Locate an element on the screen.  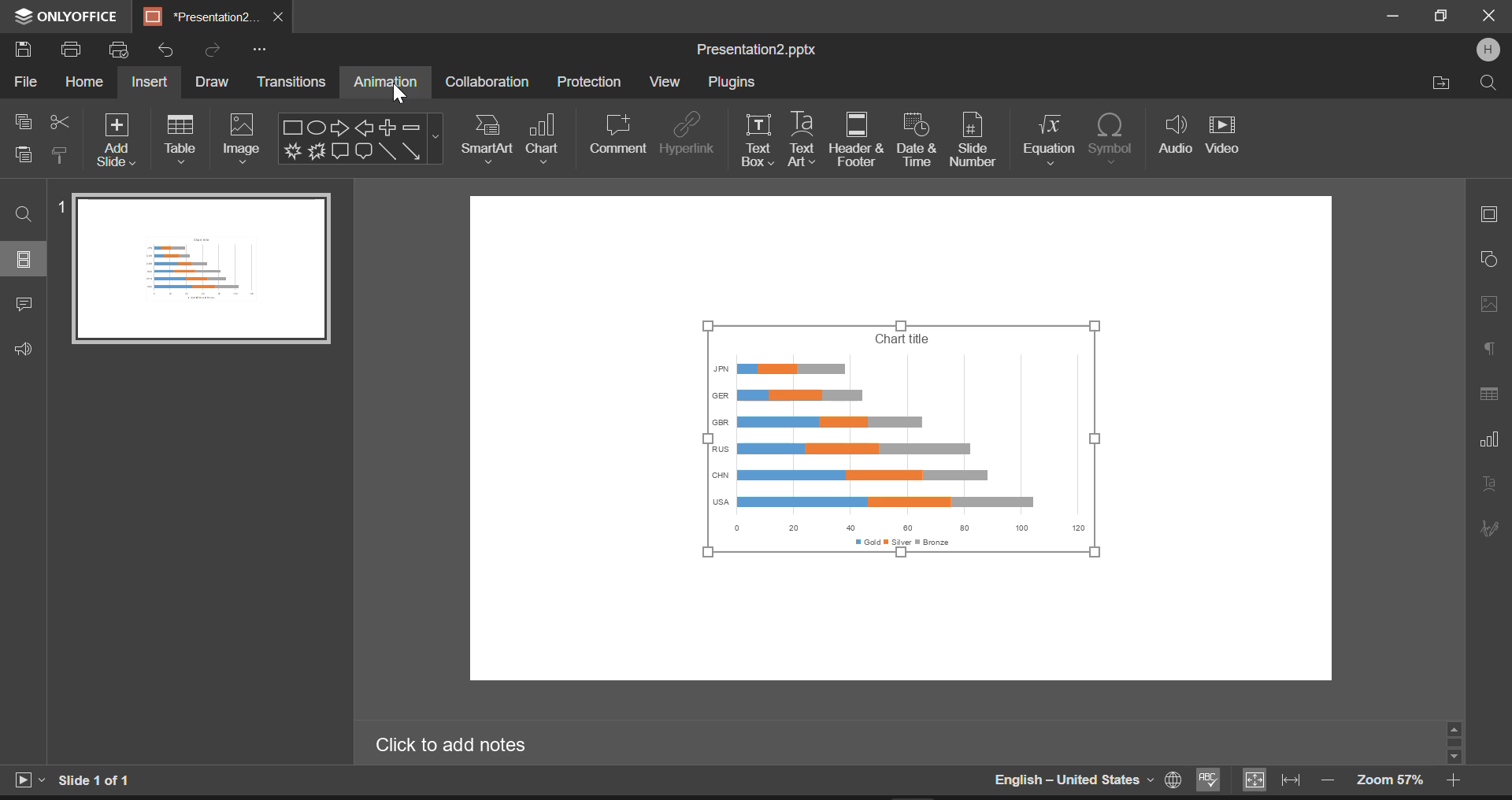
Minus is located at coordinates (412, 128).